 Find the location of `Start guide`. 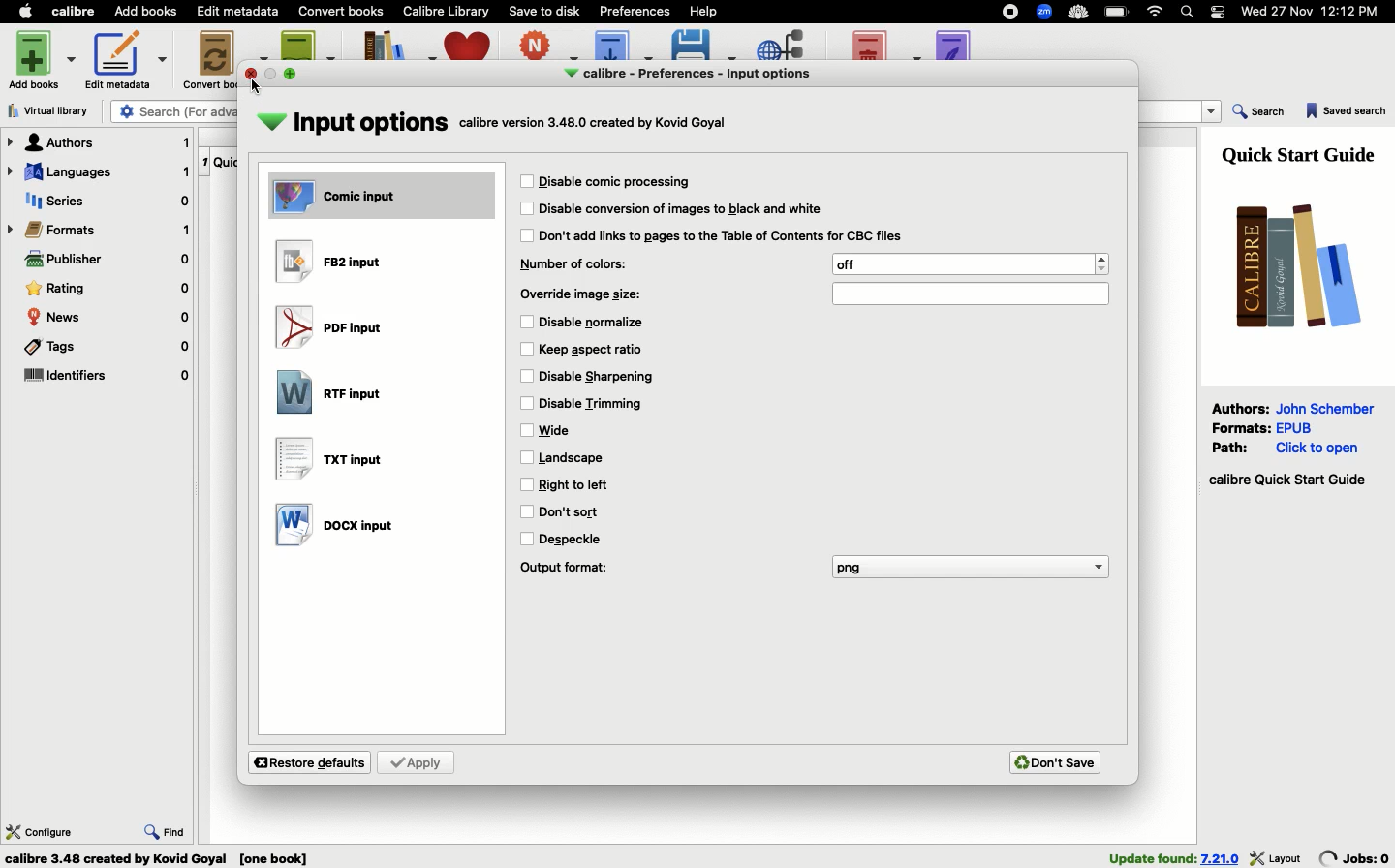

Start guide is located at coordinates (1286, 480).